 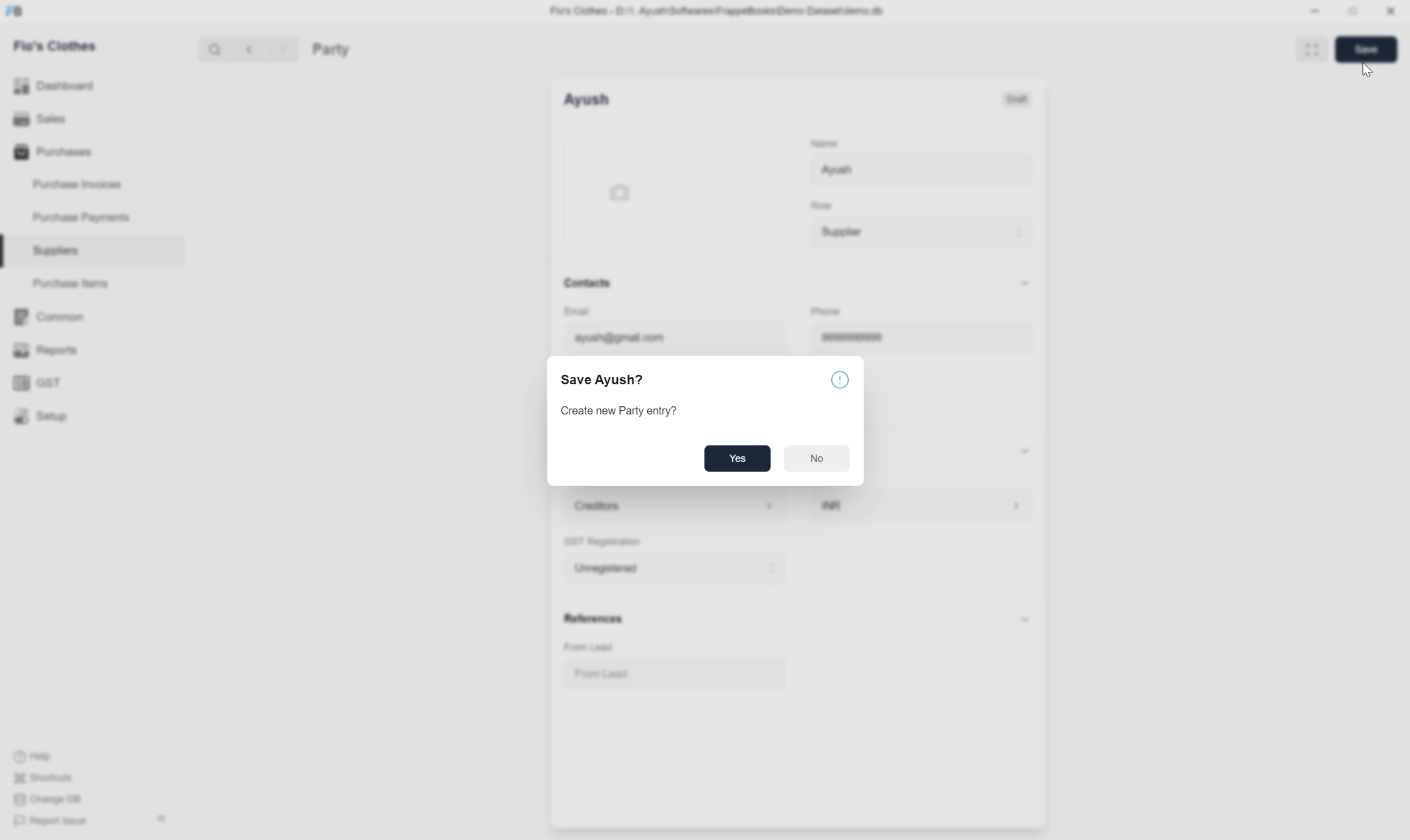 What do you see at coordinates (816, 458) in the screenshot?
I see `No` at bounding box center [816, 458].